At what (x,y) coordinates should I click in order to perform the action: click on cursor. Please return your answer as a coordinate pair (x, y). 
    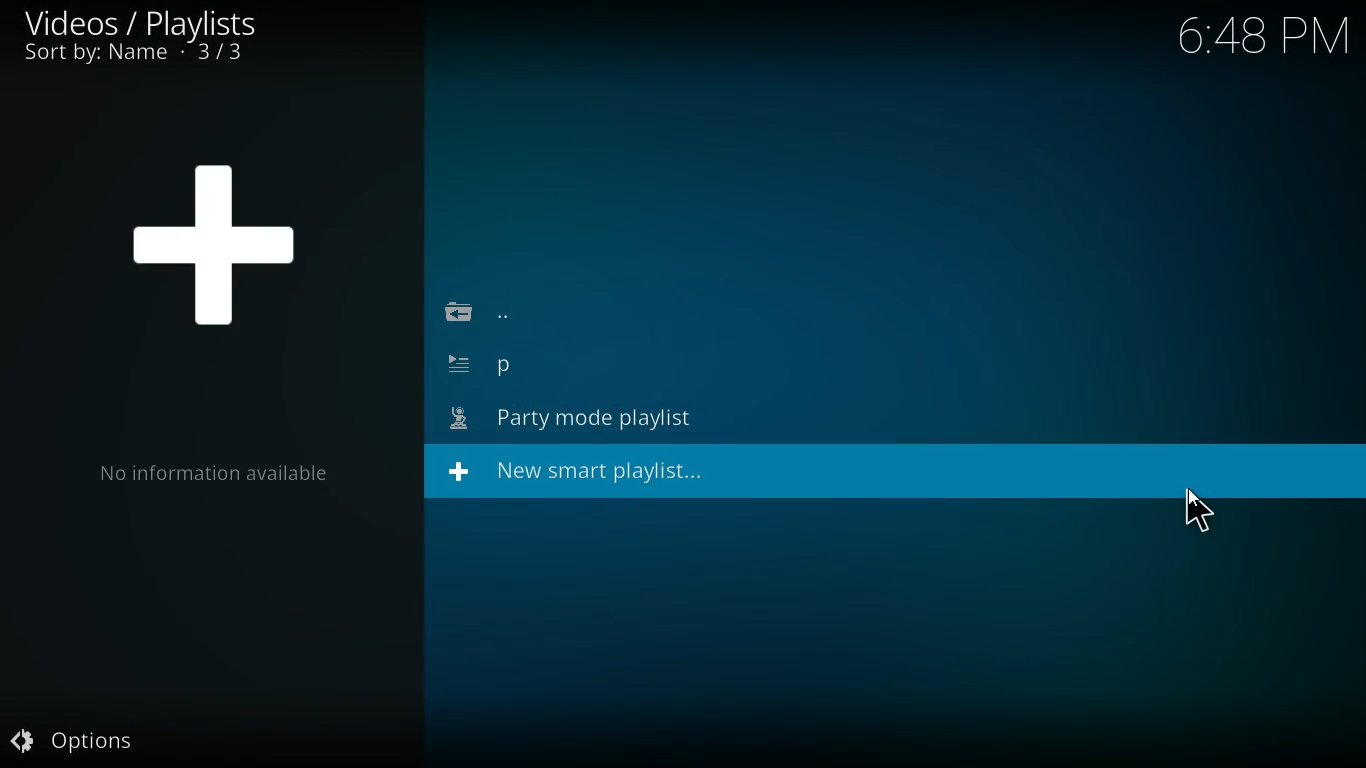
    Looking at the image, I should click on (1199, 511).